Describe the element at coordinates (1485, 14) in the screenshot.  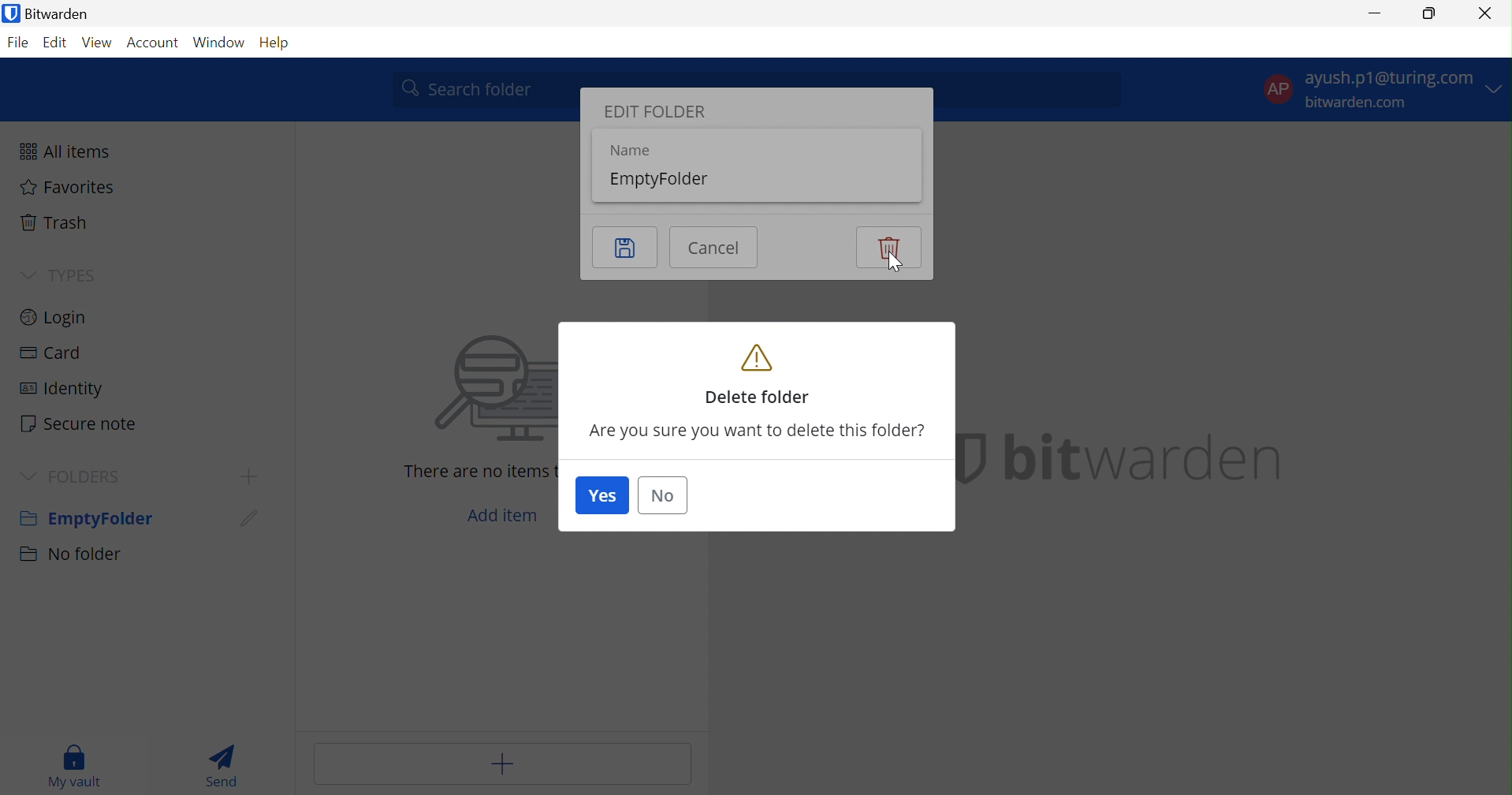
I see `Close` at that location.